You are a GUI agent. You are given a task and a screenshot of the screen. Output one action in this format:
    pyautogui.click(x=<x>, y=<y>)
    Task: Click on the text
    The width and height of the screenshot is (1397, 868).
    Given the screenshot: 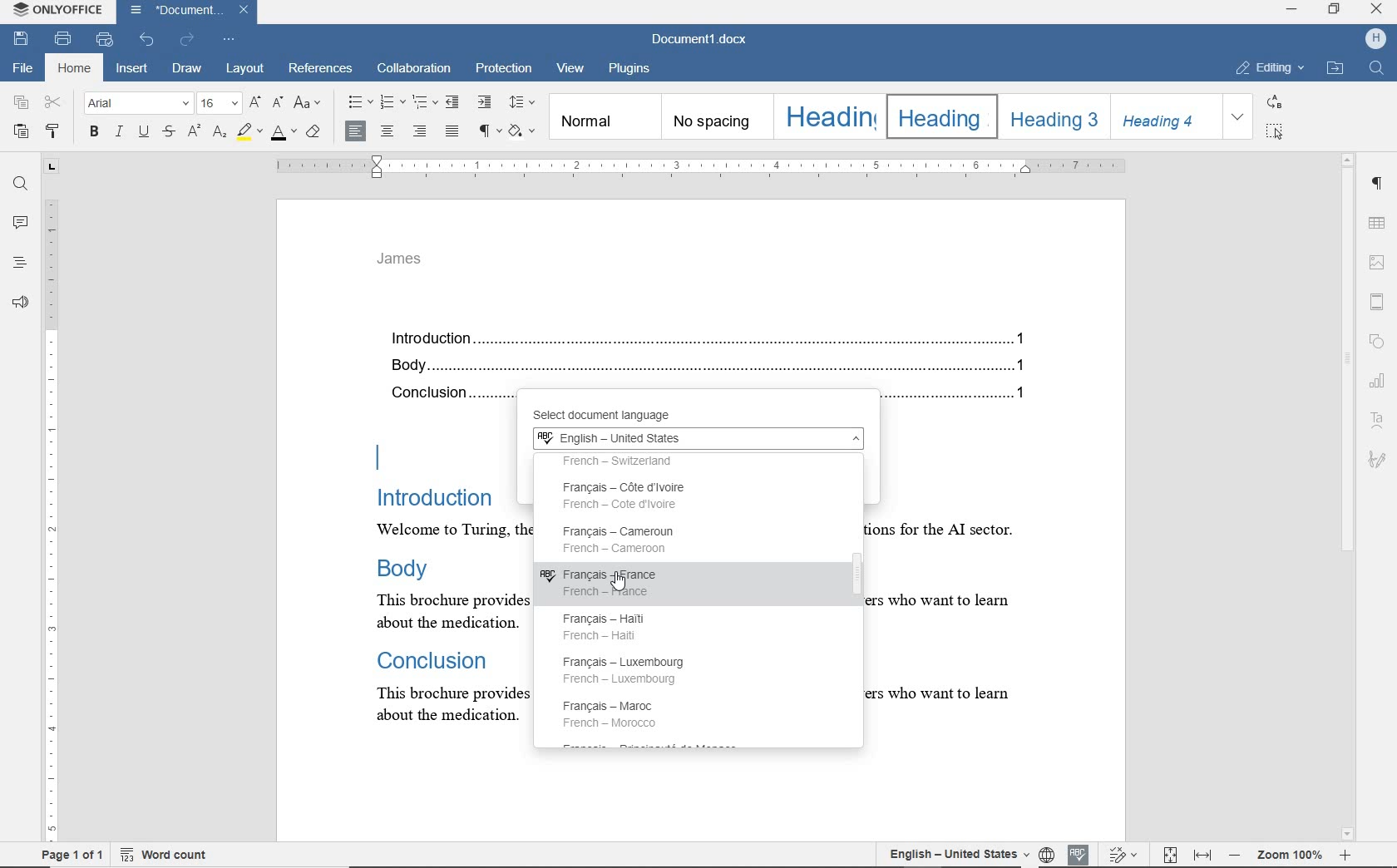 What is the action you would take?
    pyautogui.click(x=961, y=549)
    